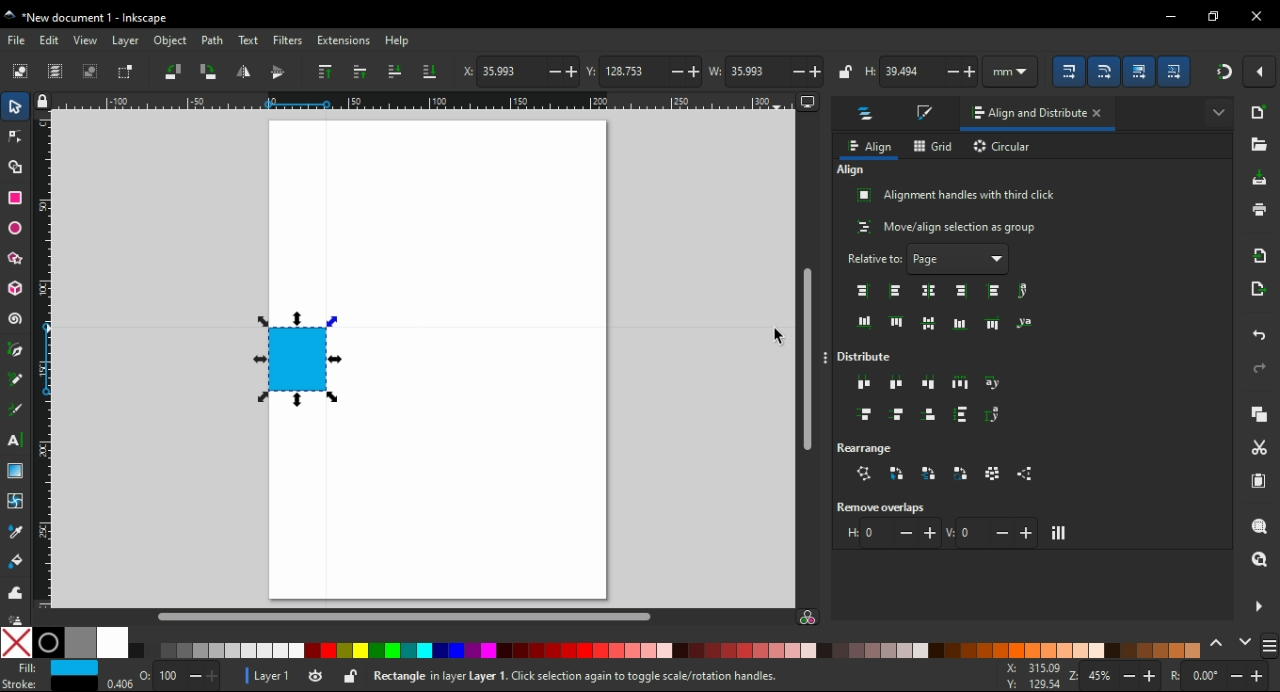  I want to click on raise, so click(362, 72).